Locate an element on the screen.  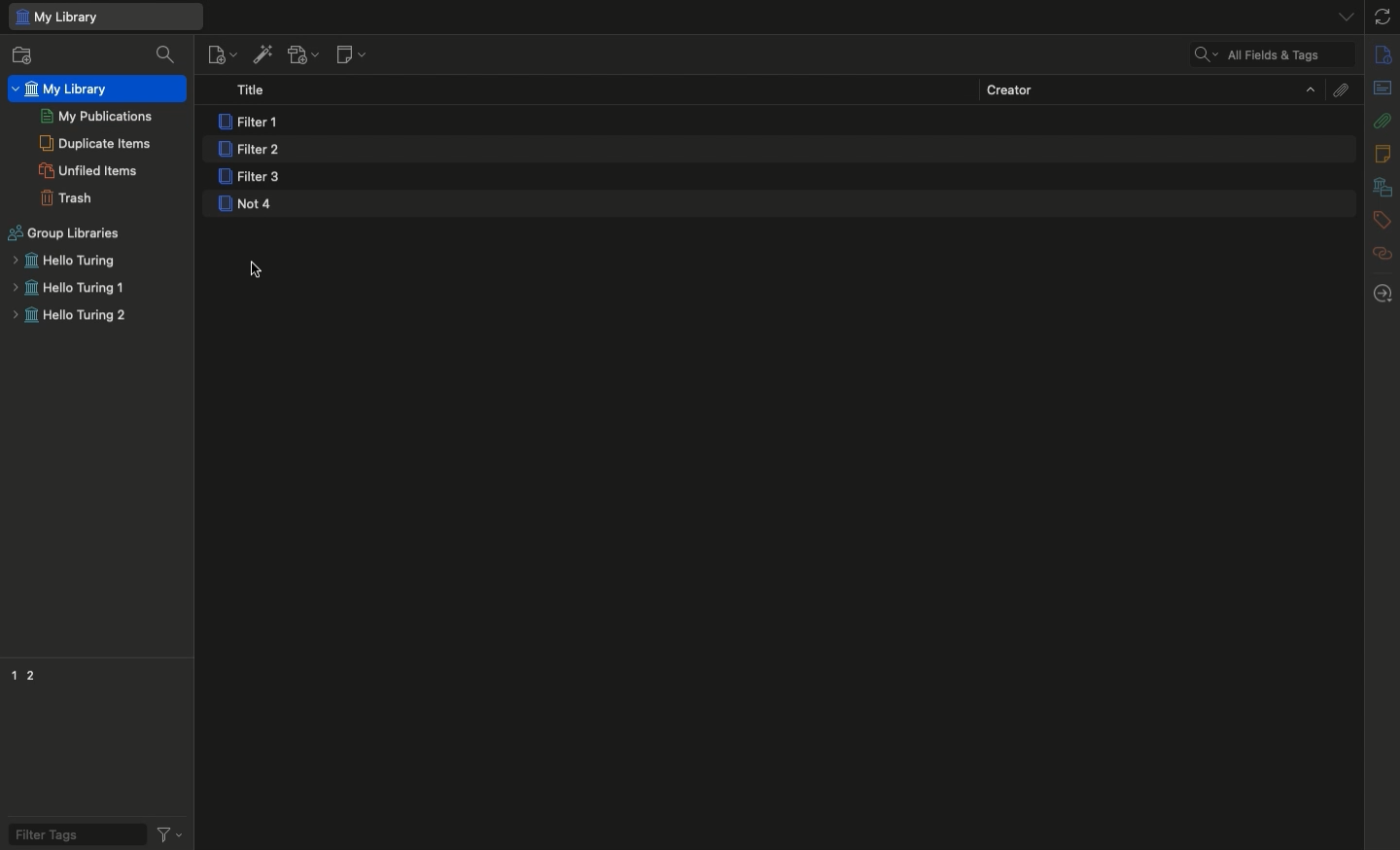
List all tabs is located at coordinates (1339, 16).